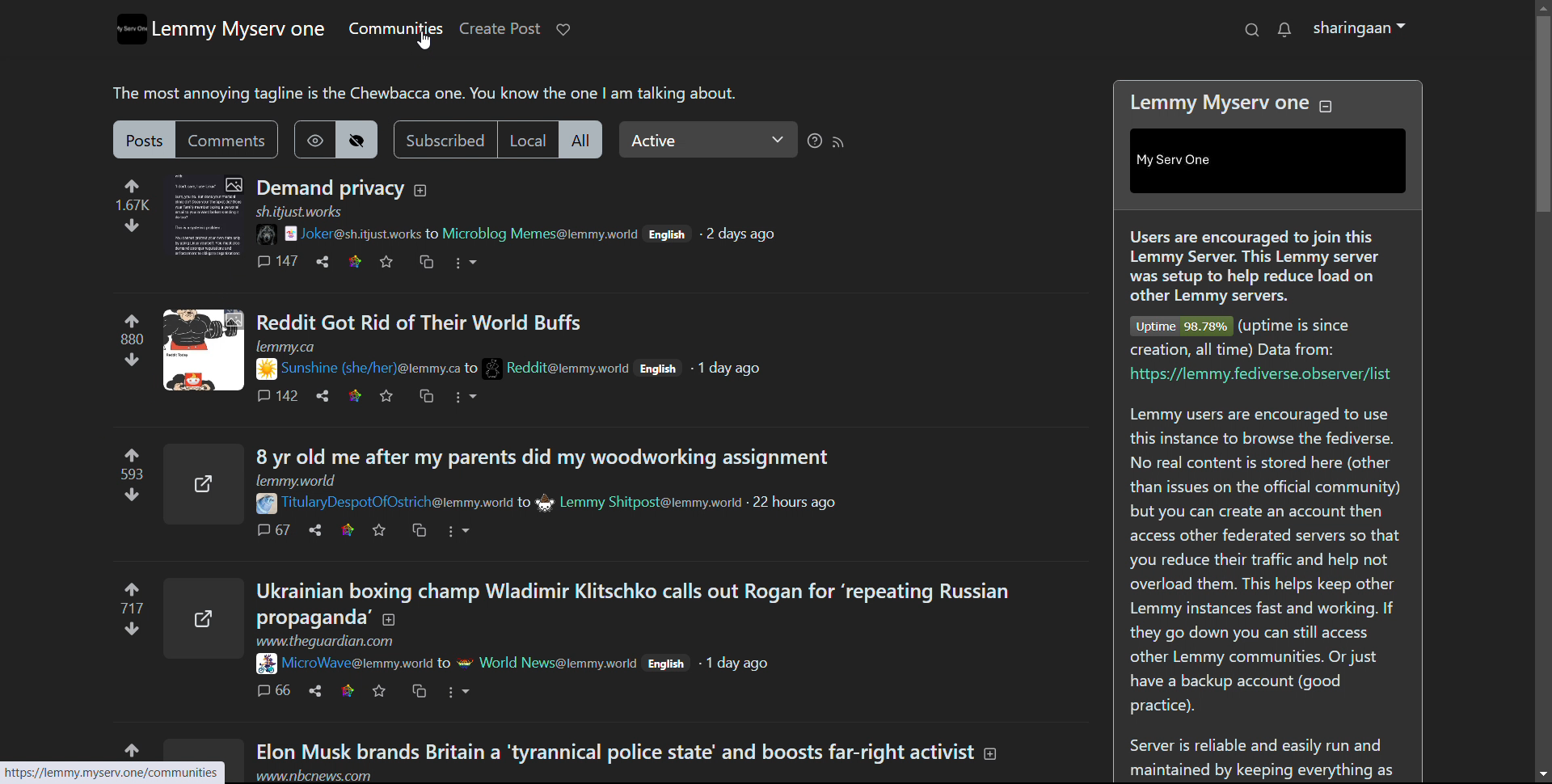 The image size is (1552, 784). Describe the element at coordinates (442, 662) in the screenshot. I see `to` at that location.